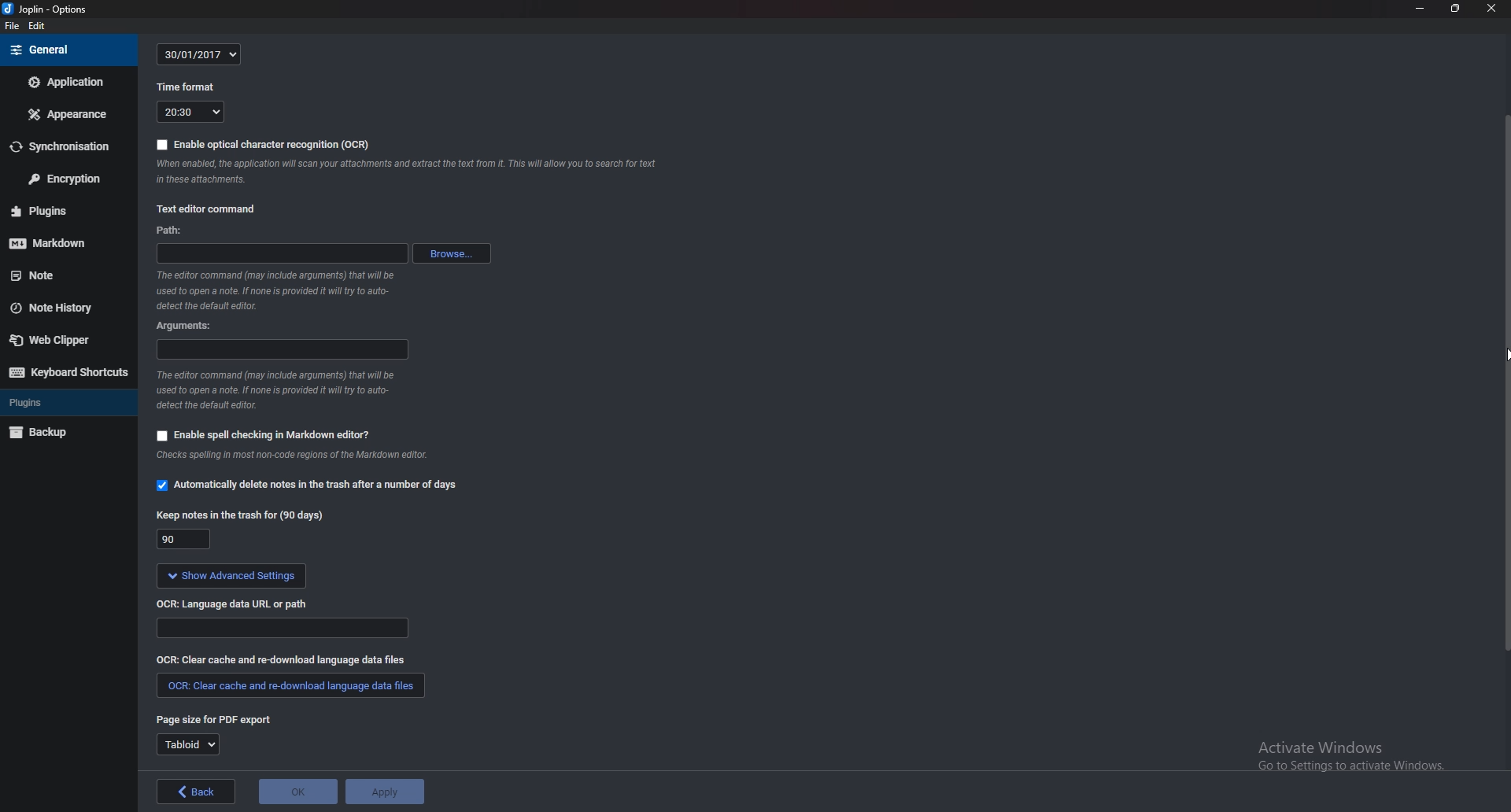 This screenshot has height=812, width=1511. I want to click on Plugins, so click(60, 404).